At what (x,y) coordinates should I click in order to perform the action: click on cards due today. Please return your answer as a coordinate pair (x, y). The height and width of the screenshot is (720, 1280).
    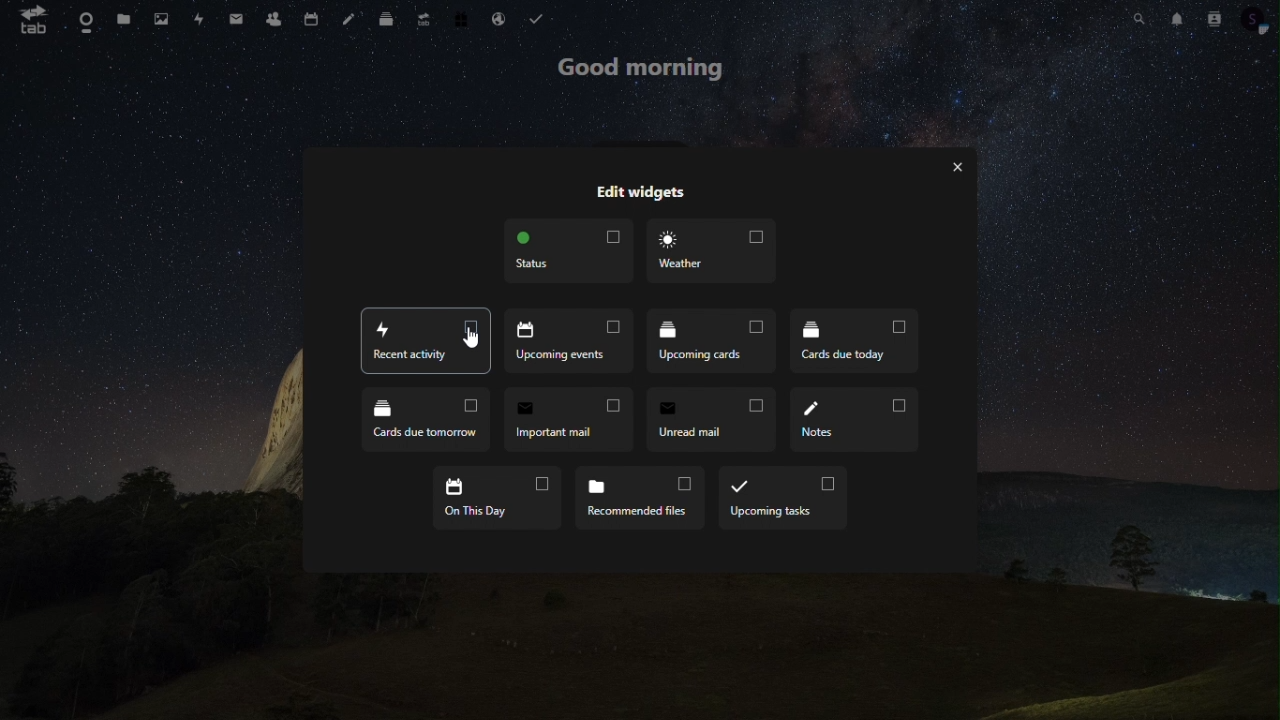
    Looking at the image, I should click on (852, 342).